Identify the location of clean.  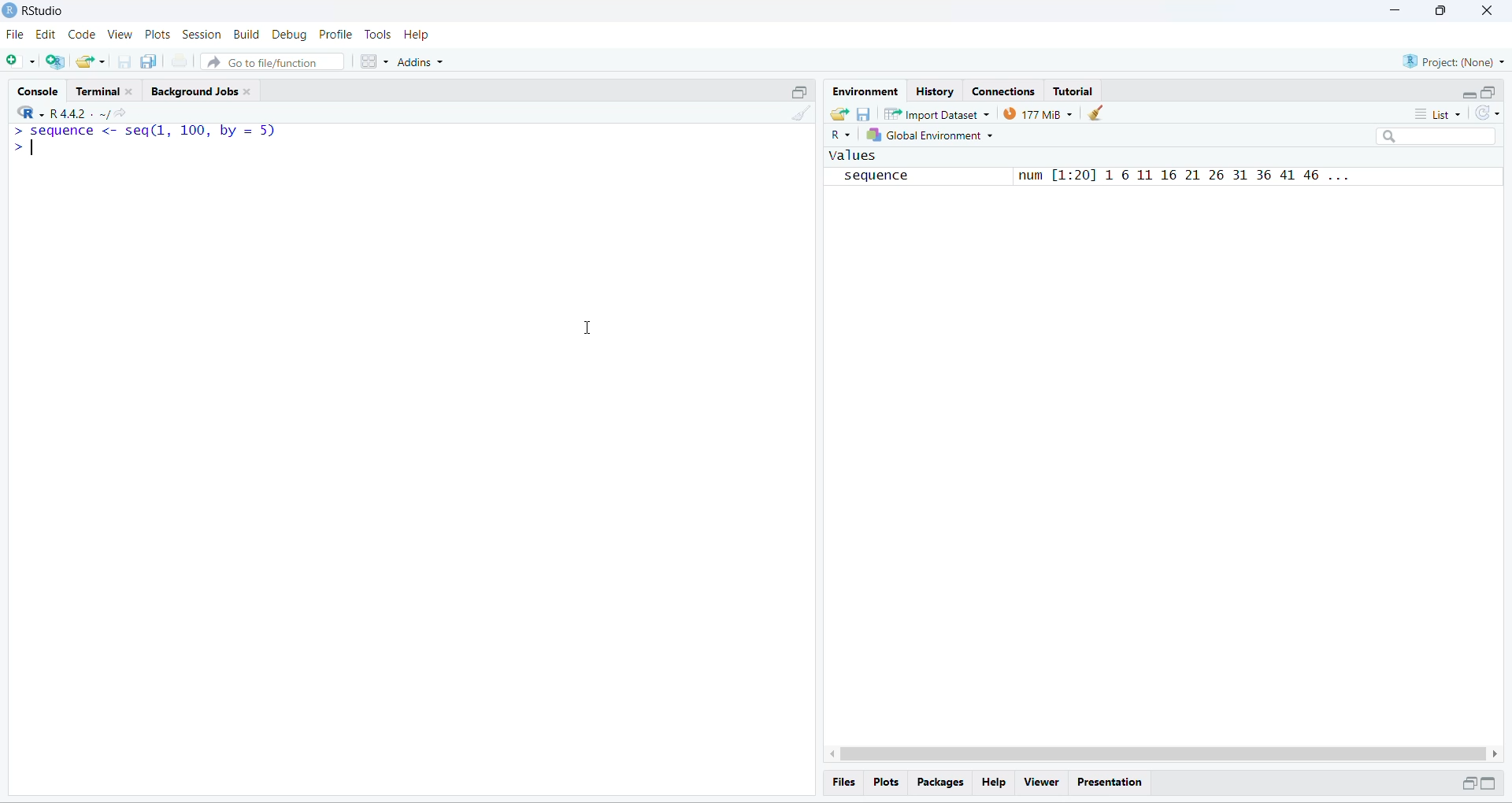
(1095, 113).